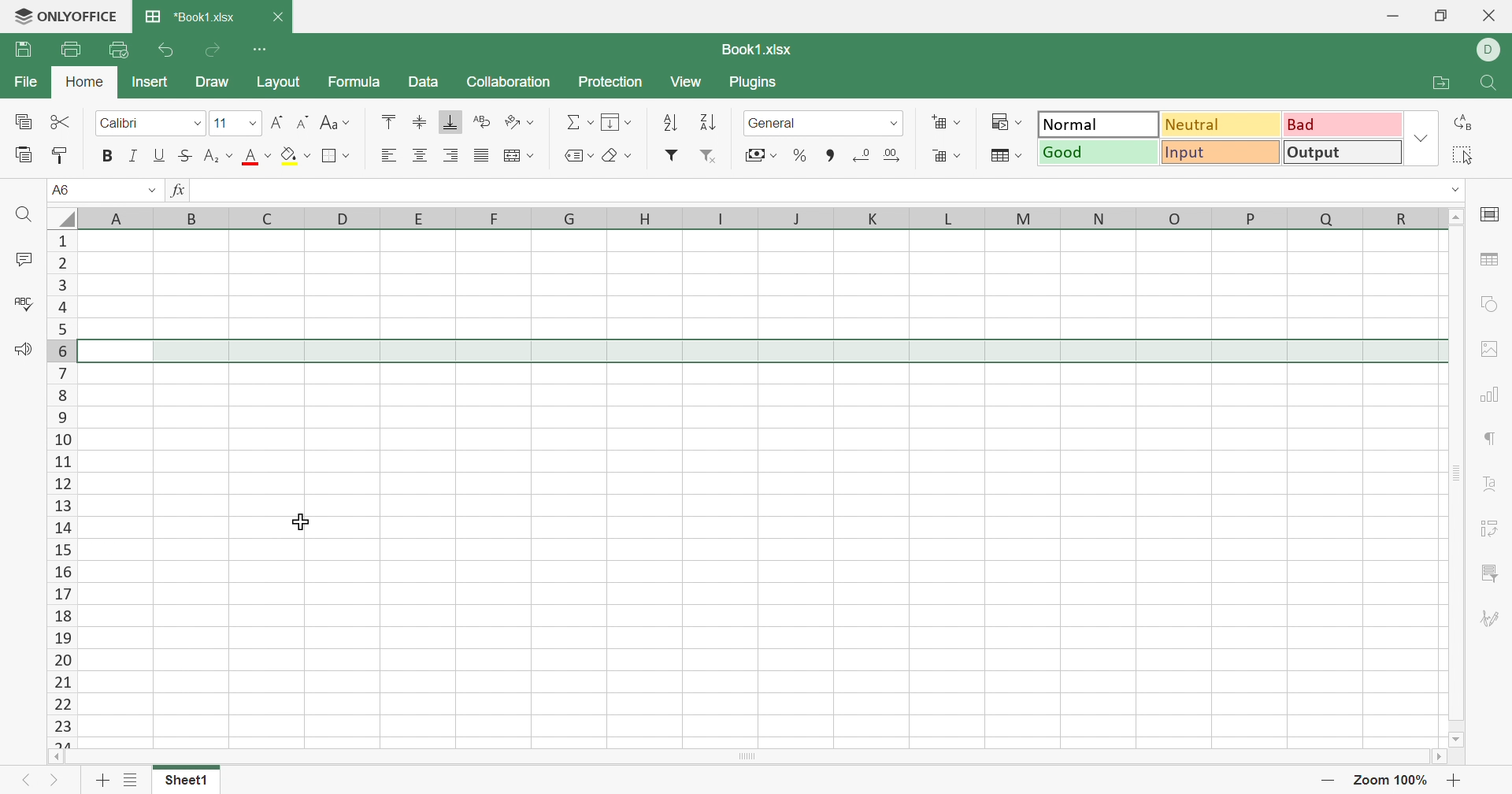 The height and width of the screenshot is (794, 1512). Describe the element at coordinates (22, 351) in the screenshot. I see `Feedback and support` at that location.